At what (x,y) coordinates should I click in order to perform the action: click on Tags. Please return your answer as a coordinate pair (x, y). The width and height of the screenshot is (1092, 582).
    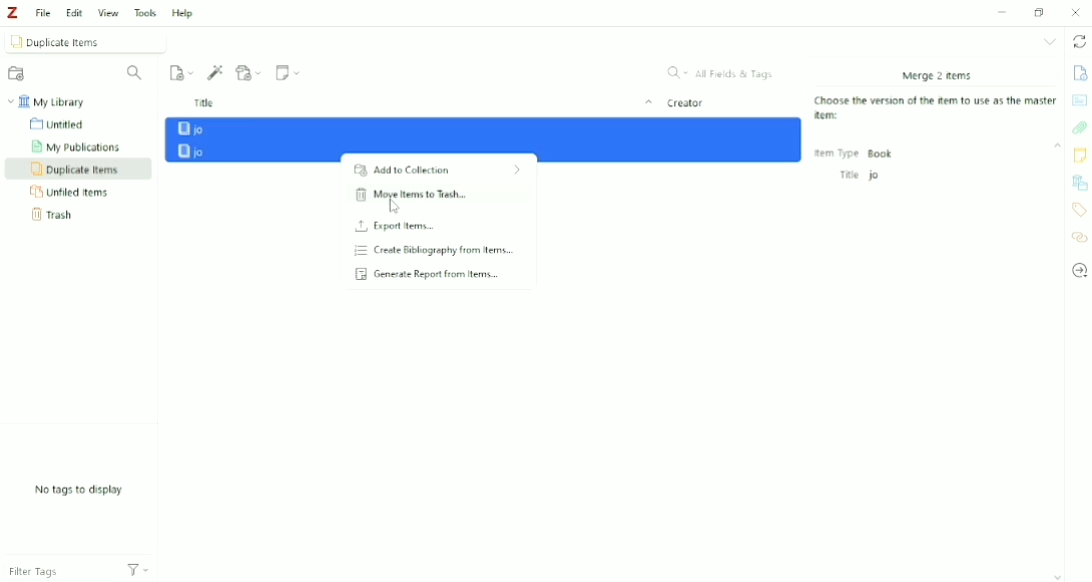
    Looking at the image, I should click on (1078, 210).